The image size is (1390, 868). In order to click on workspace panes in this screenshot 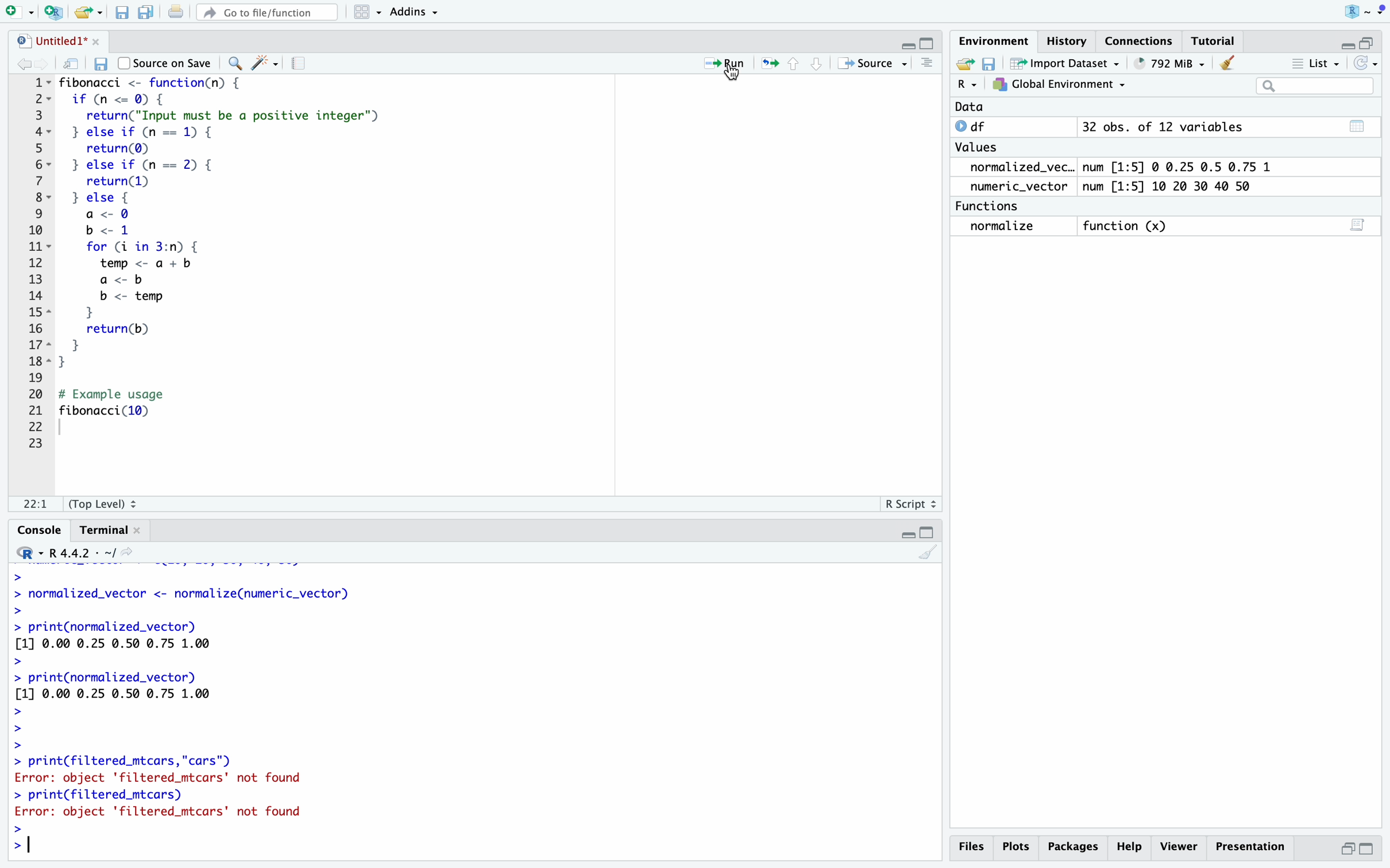, I will do `click(364, 11)`.